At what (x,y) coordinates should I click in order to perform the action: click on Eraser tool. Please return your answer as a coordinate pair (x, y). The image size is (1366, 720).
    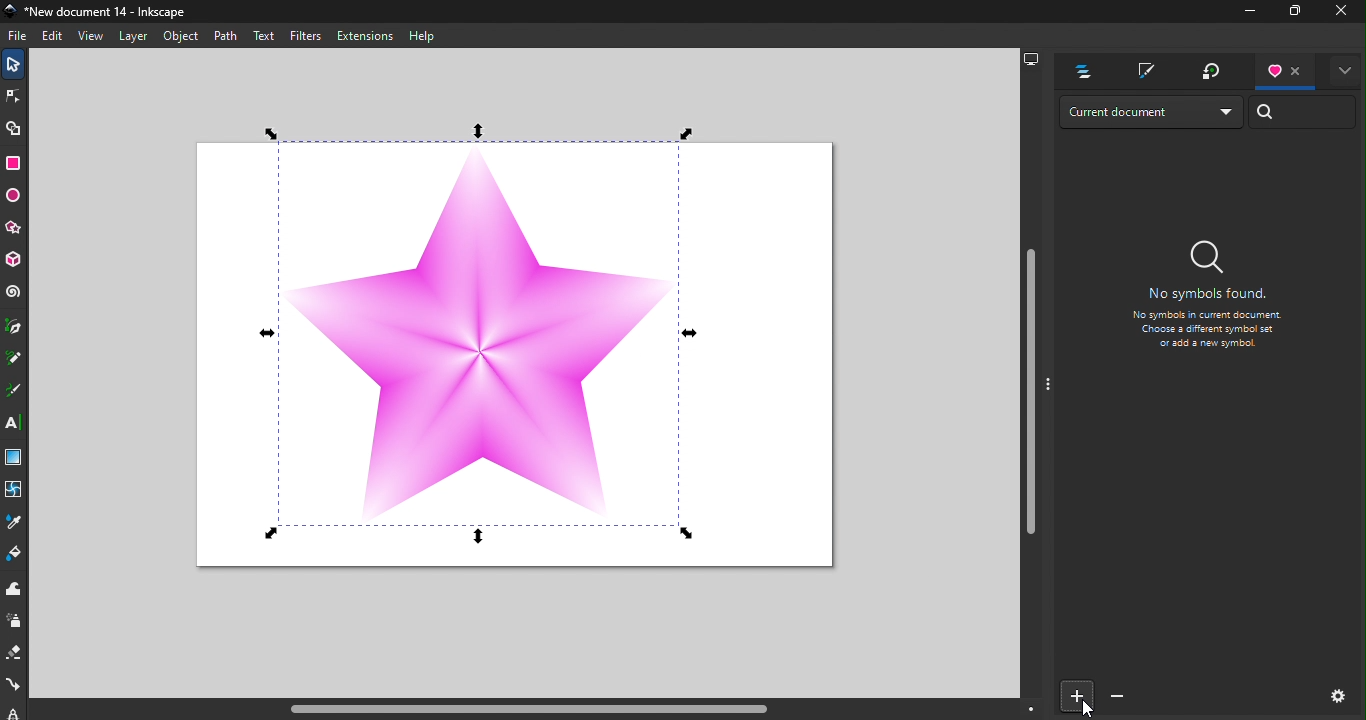
    Looking at the image, I should click on (16, 653).